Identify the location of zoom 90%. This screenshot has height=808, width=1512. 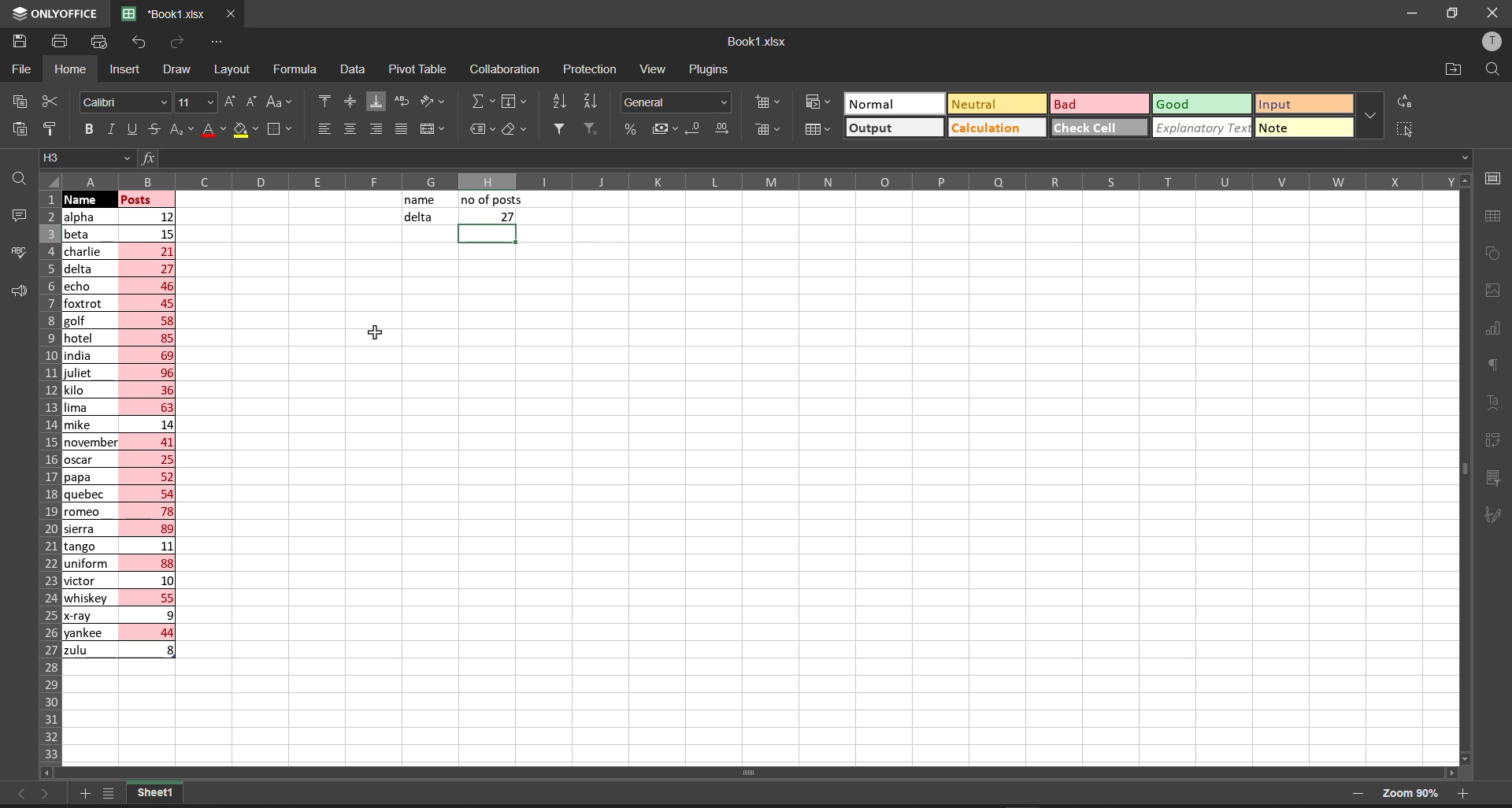
(1409, 793).